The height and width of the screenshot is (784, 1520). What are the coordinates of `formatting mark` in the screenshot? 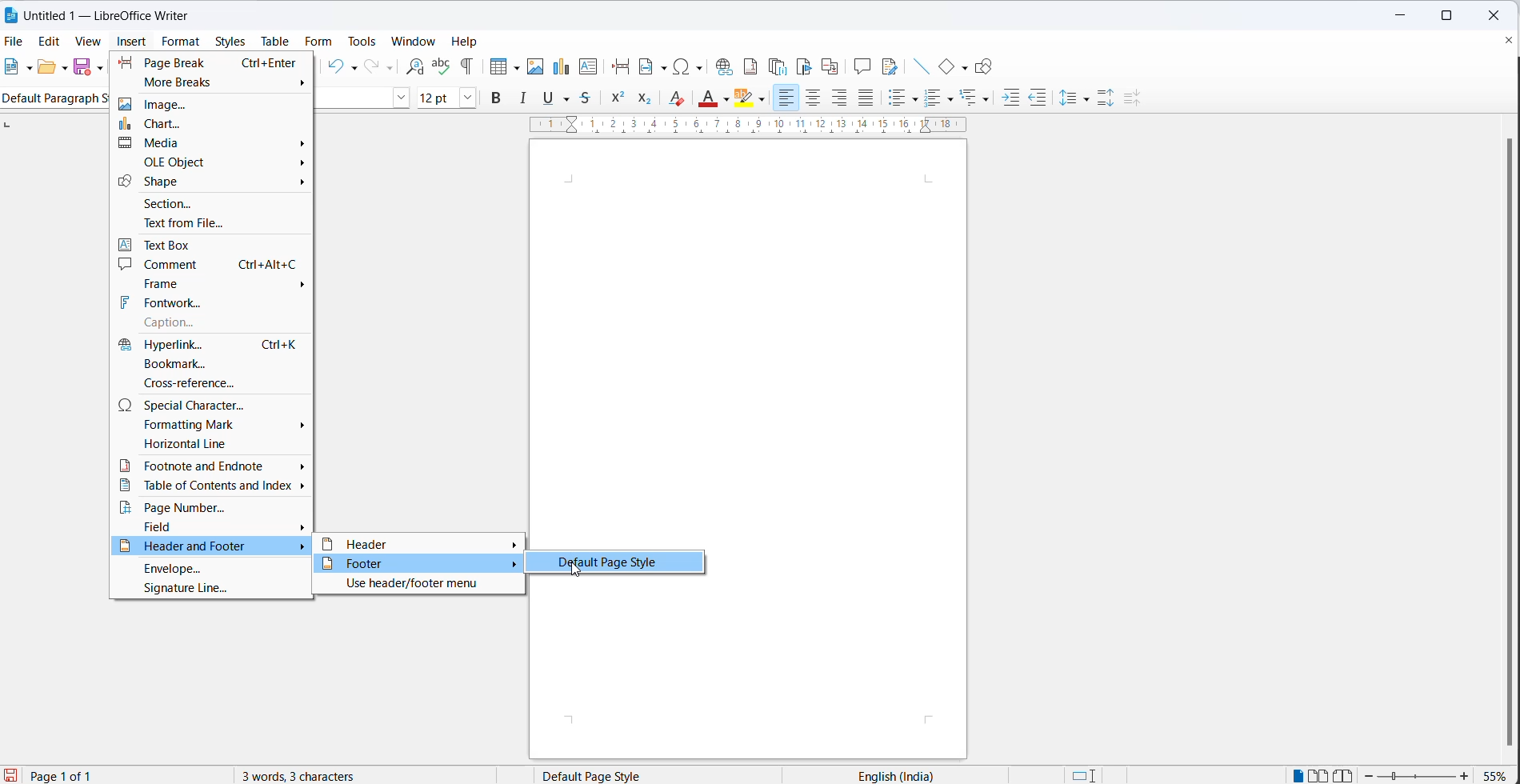 It's located at (209, 426).